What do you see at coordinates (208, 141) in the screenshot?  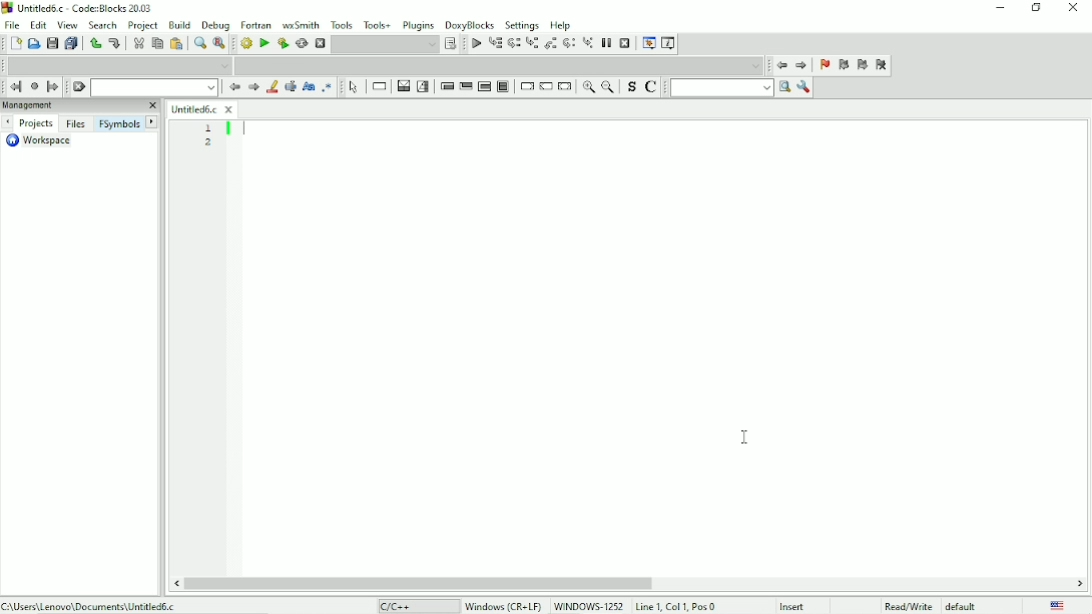 I see `2` at bounding box center [208, 141].